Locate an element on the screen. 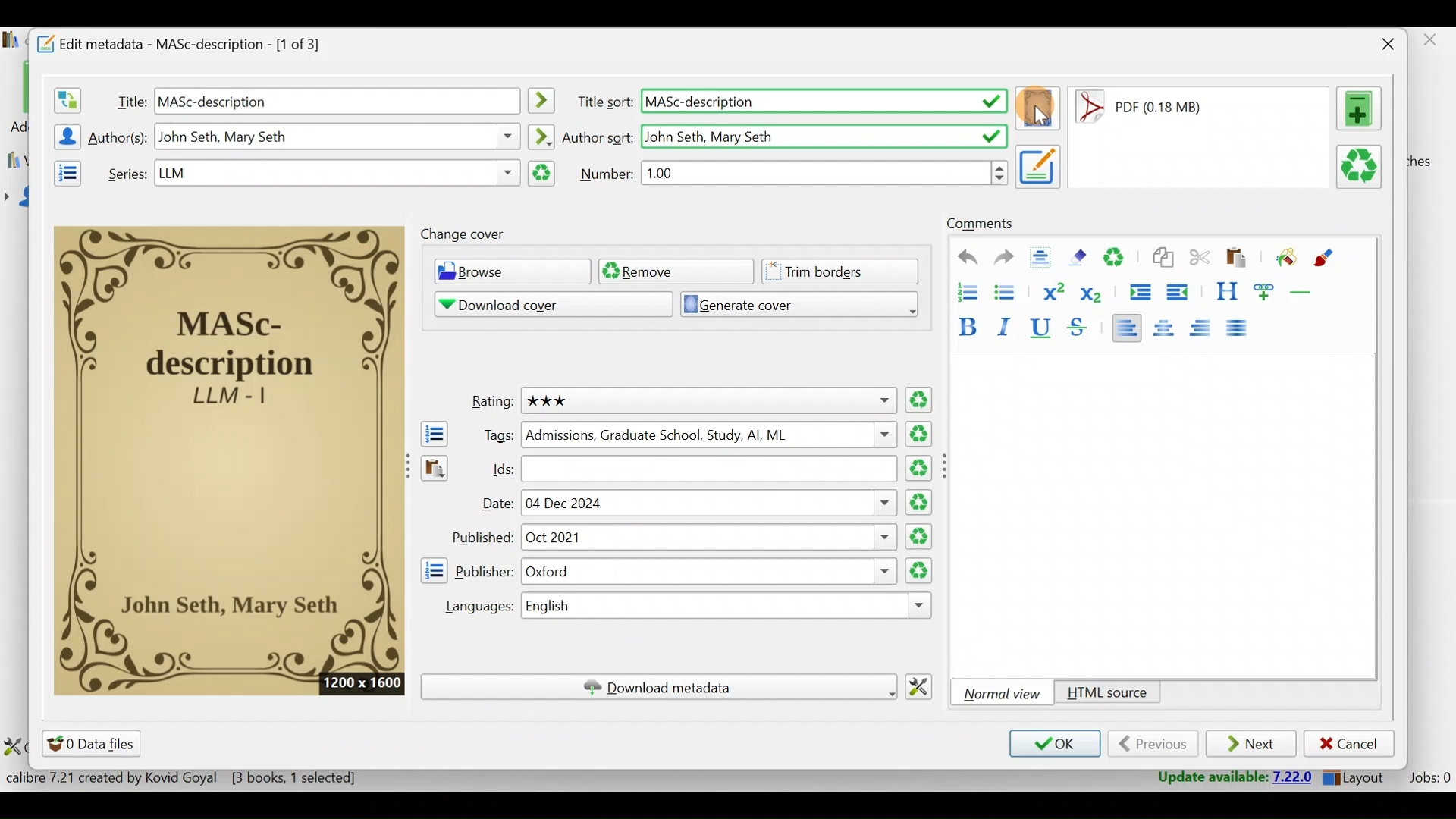 This screenshot has height=819, width=1456.  is located at coordinates (730, 607).